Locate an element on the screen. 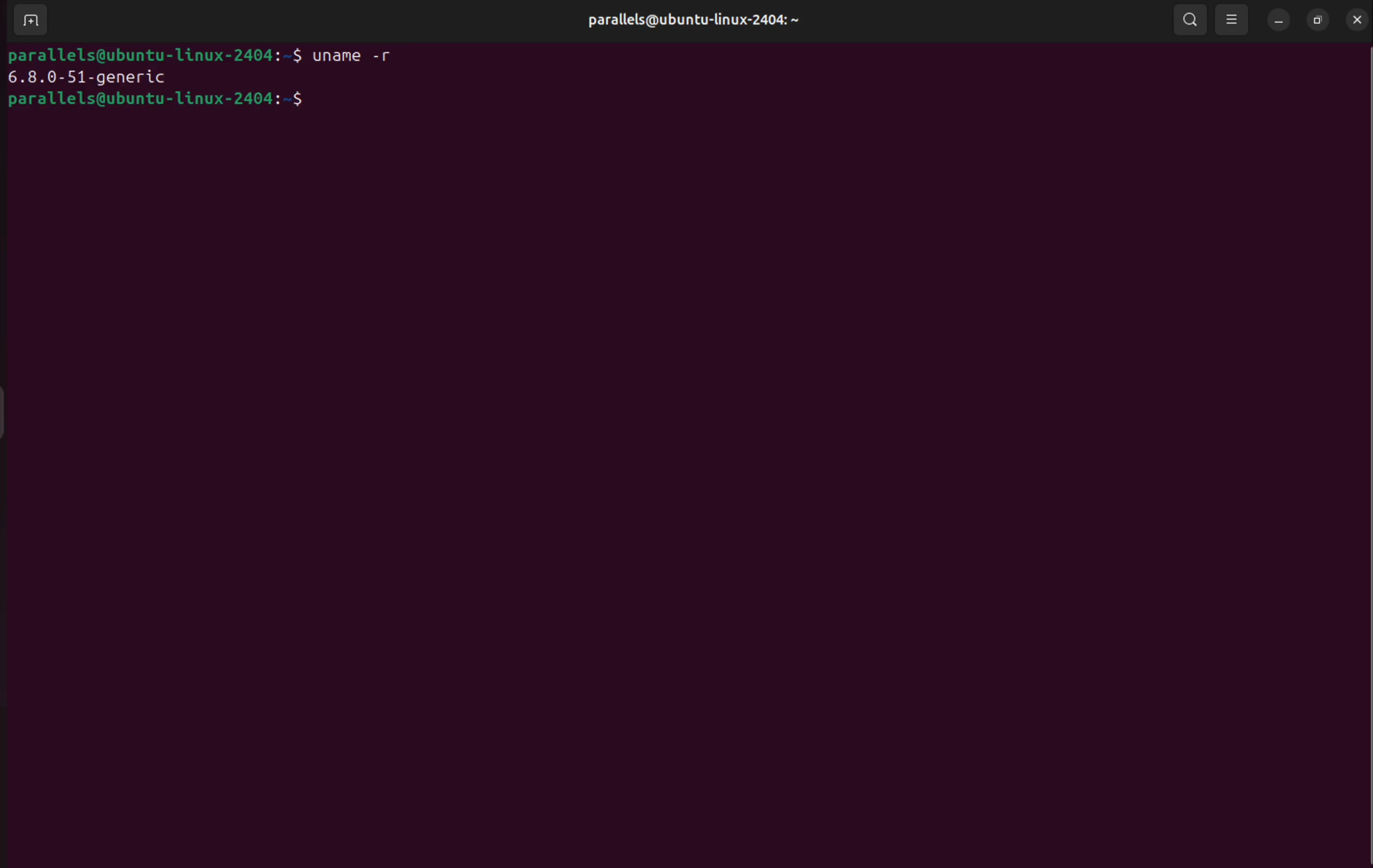 Image resolution: width=1373 pixels, height=868 pixels. add terminal is located at coordinates (29, 22).